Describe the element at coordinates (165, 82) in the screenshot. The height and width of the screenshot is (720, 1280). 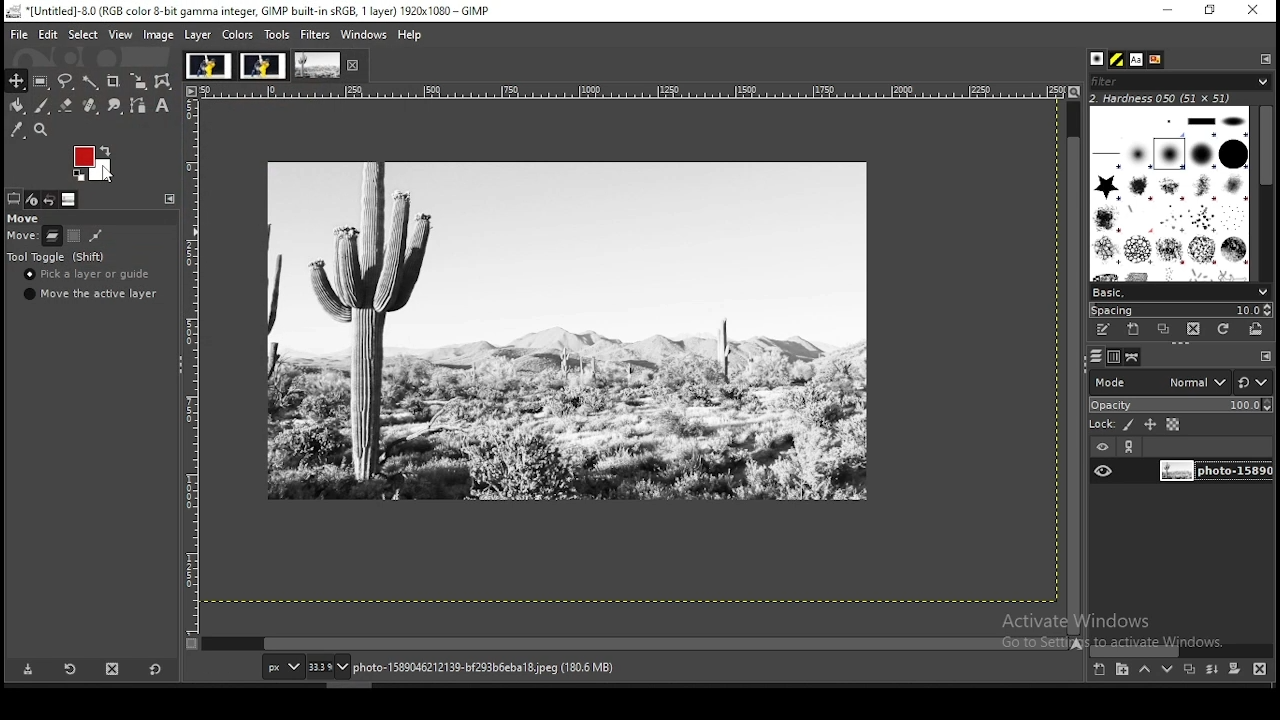
I see `cage transform` at that location.